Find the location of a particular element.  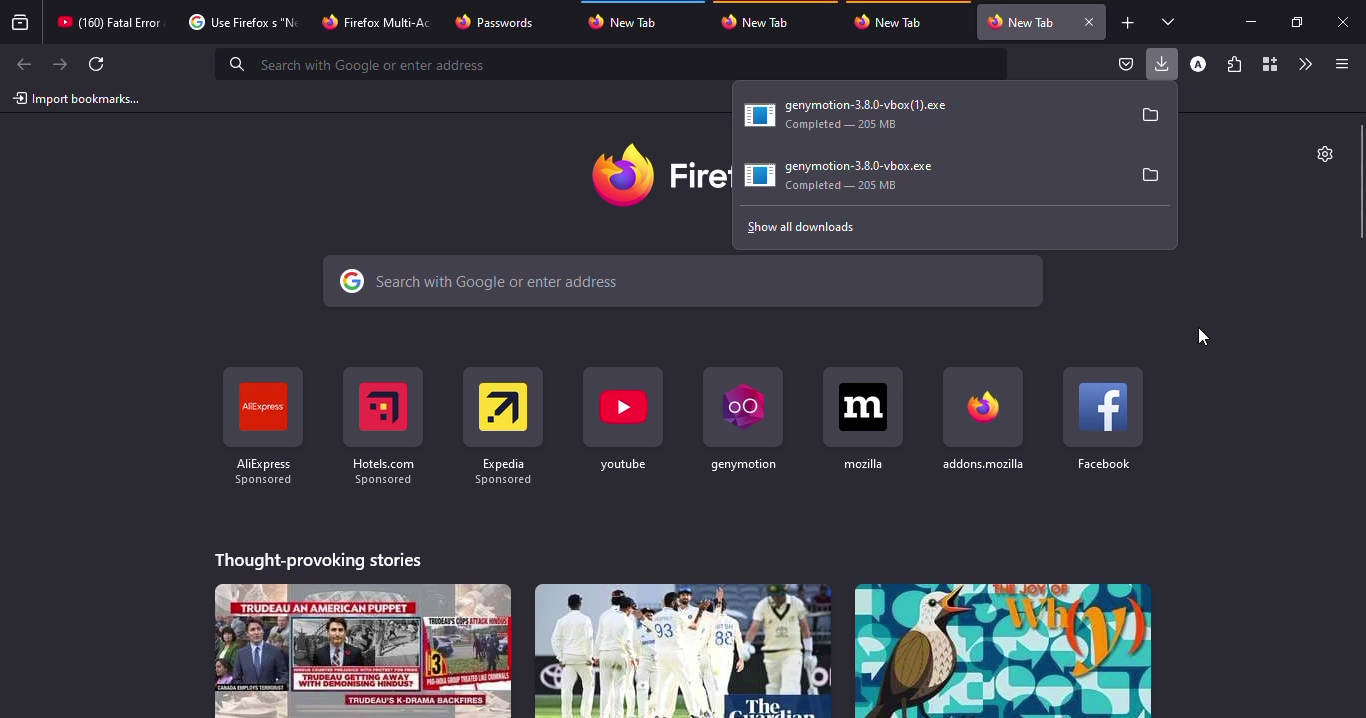

tab is located at coordinates (379, 20).